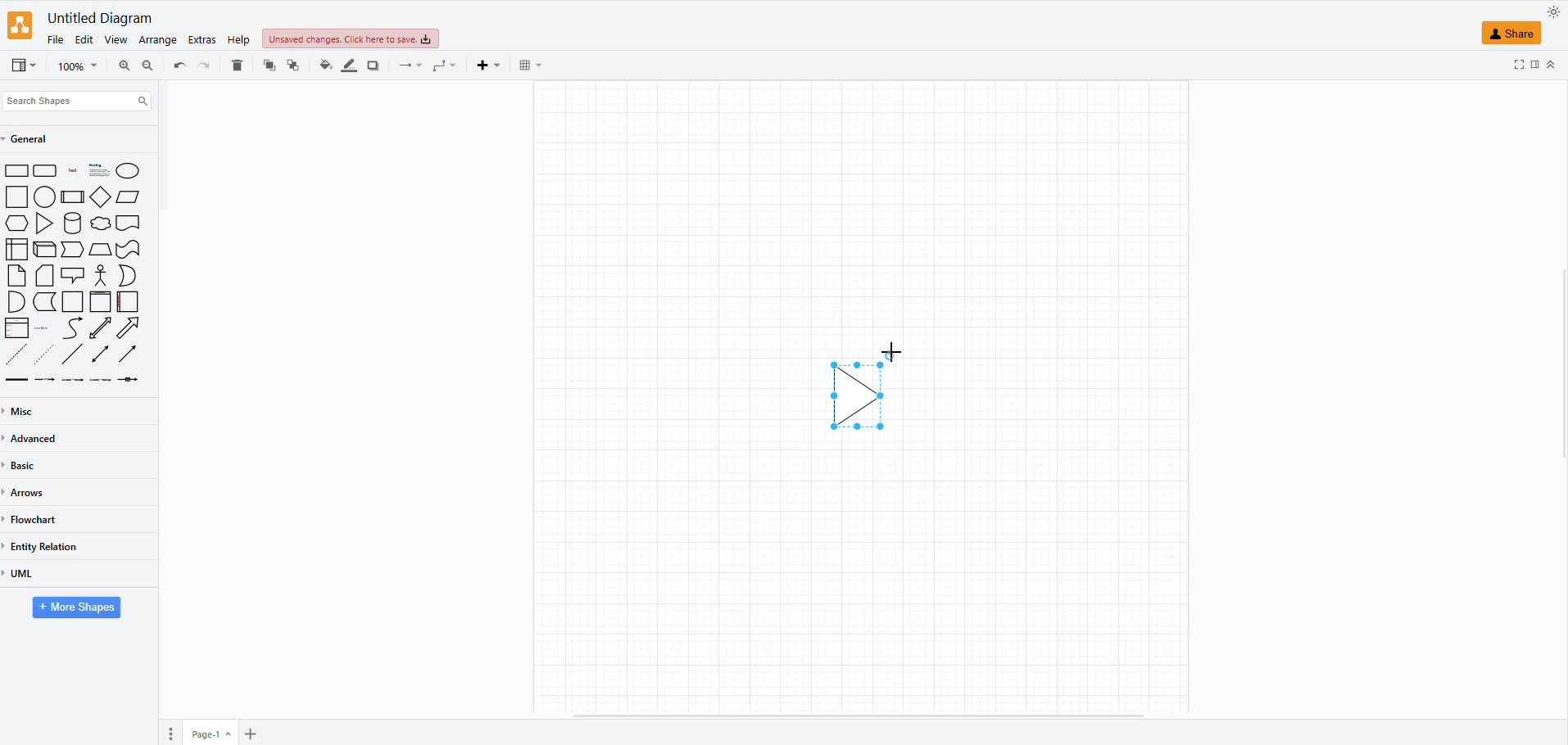 The width and height of the screenshot is (1568, 745). I want to click on insert pages, so click(248, 735).